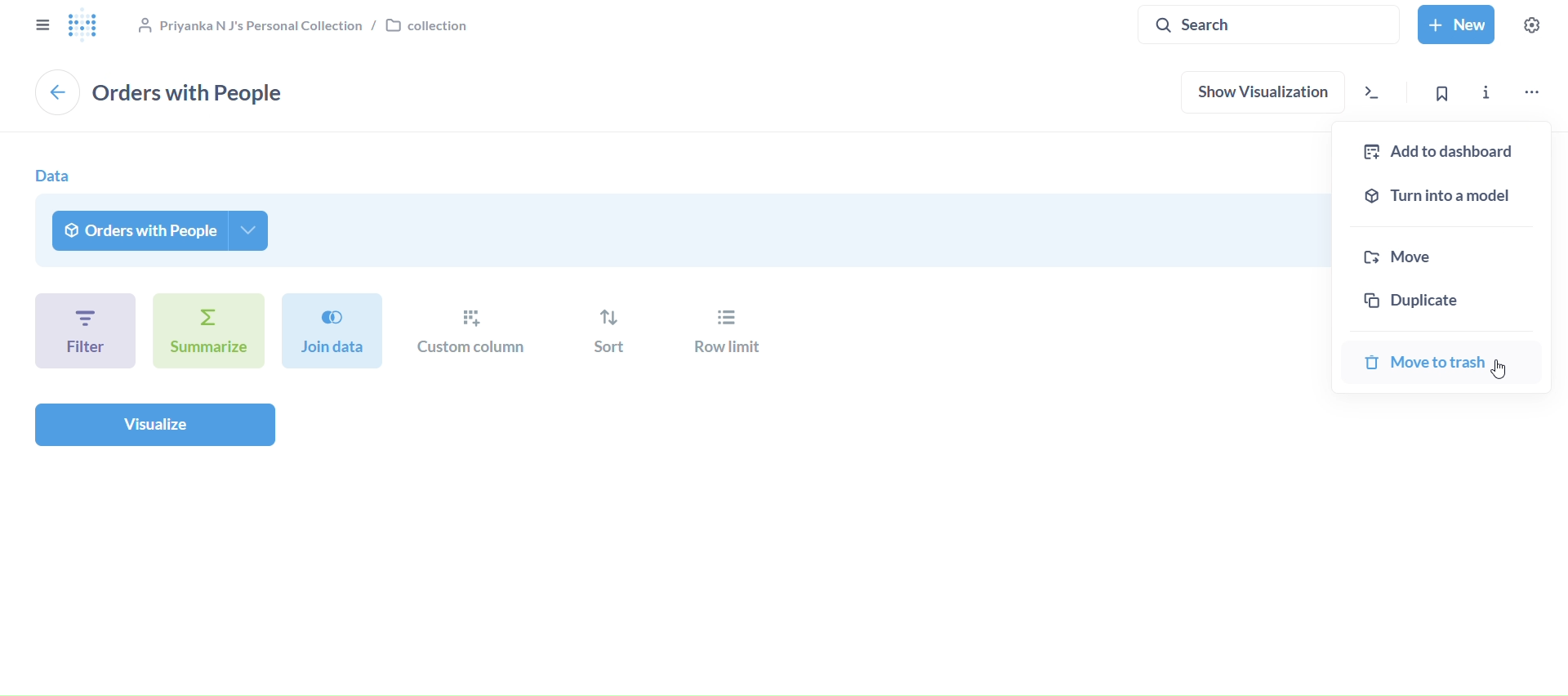 The height and width of the screenshot is (696, 1568). Describe the element at coordinates (1437, 361) in the screenshot. I see `move to trash` at that location.